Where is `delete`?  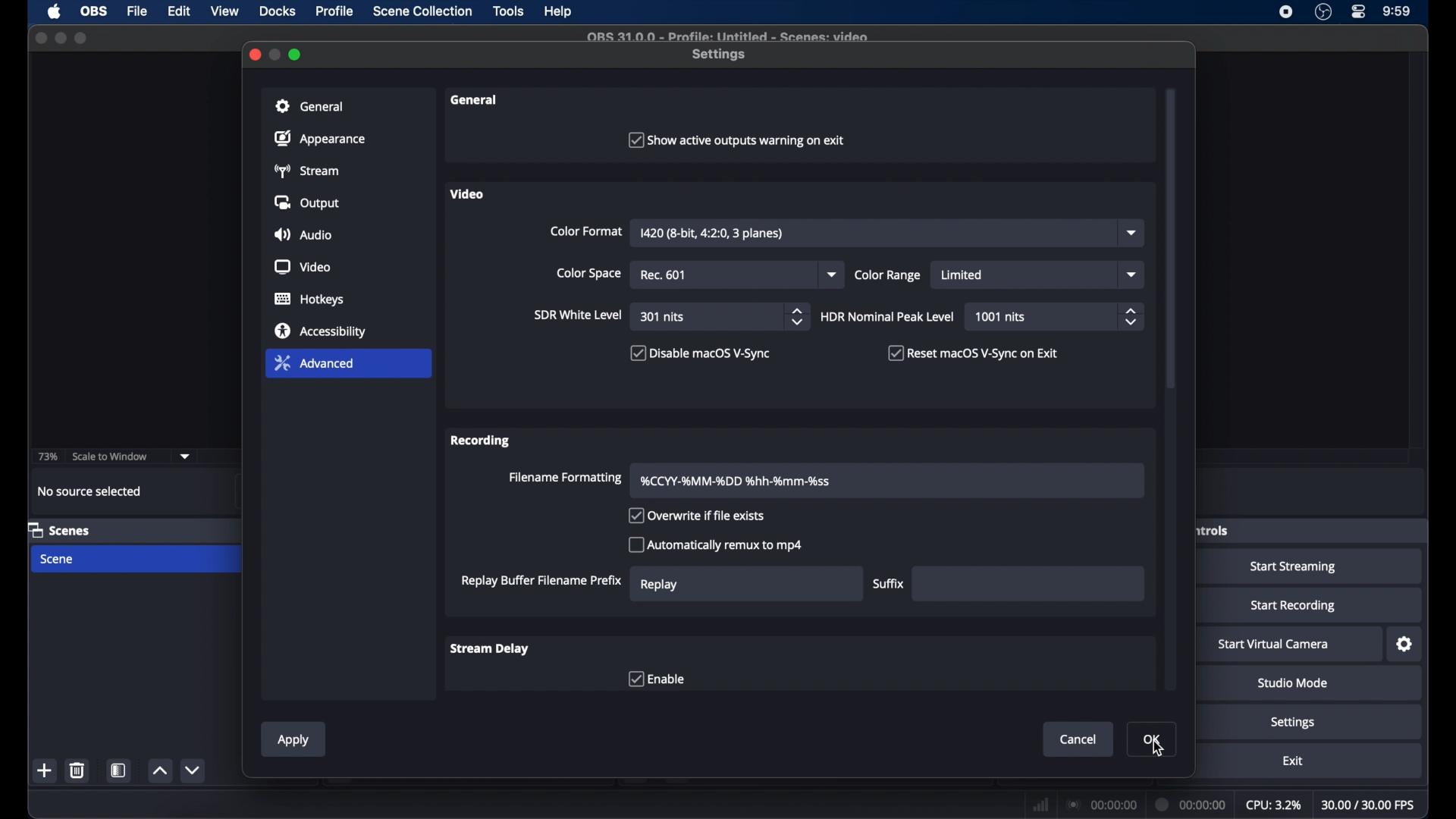 delete is located at coordinates (77, 770).